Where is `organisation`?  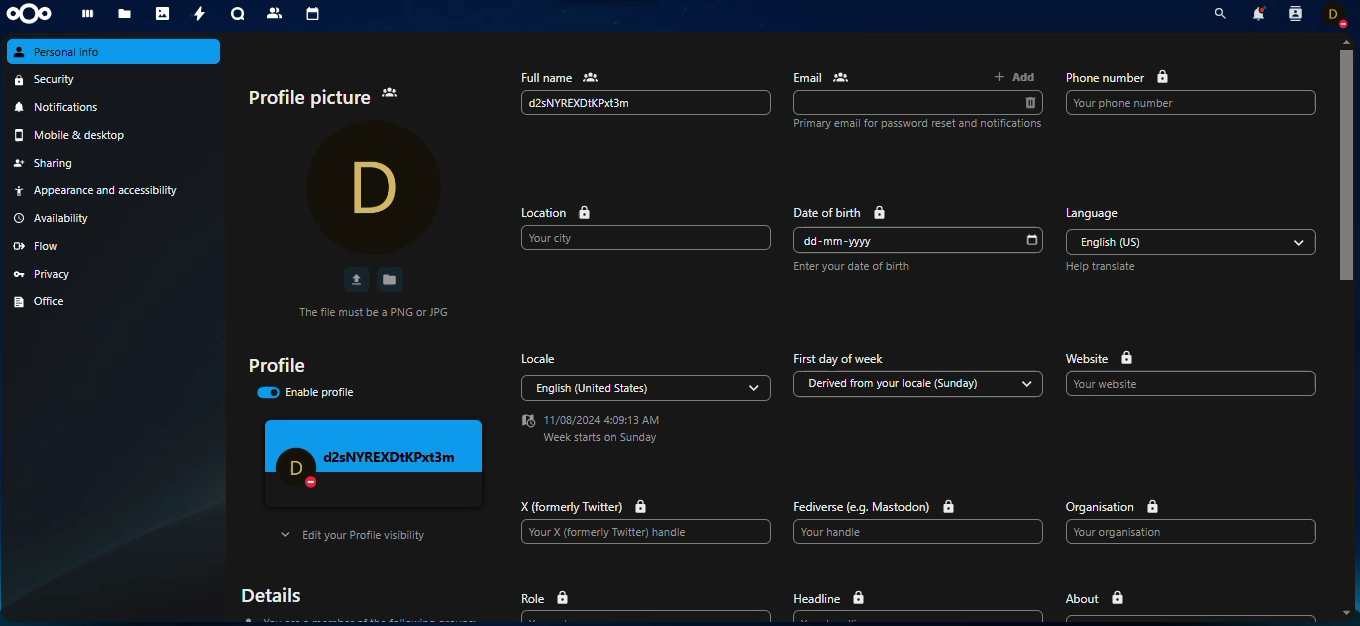 organisation is located at coordinates (1113, 506).